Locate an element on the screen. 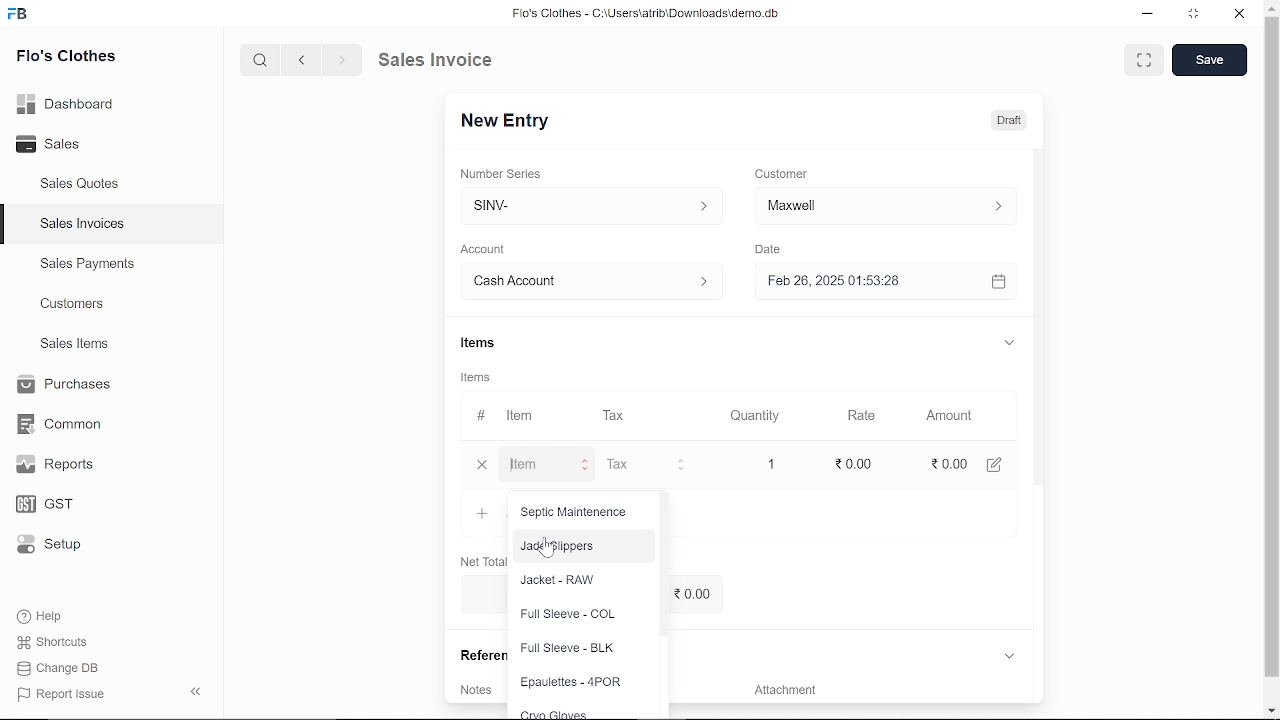 The image size is (1280, 720). close is located at coordinates (1237, 13).